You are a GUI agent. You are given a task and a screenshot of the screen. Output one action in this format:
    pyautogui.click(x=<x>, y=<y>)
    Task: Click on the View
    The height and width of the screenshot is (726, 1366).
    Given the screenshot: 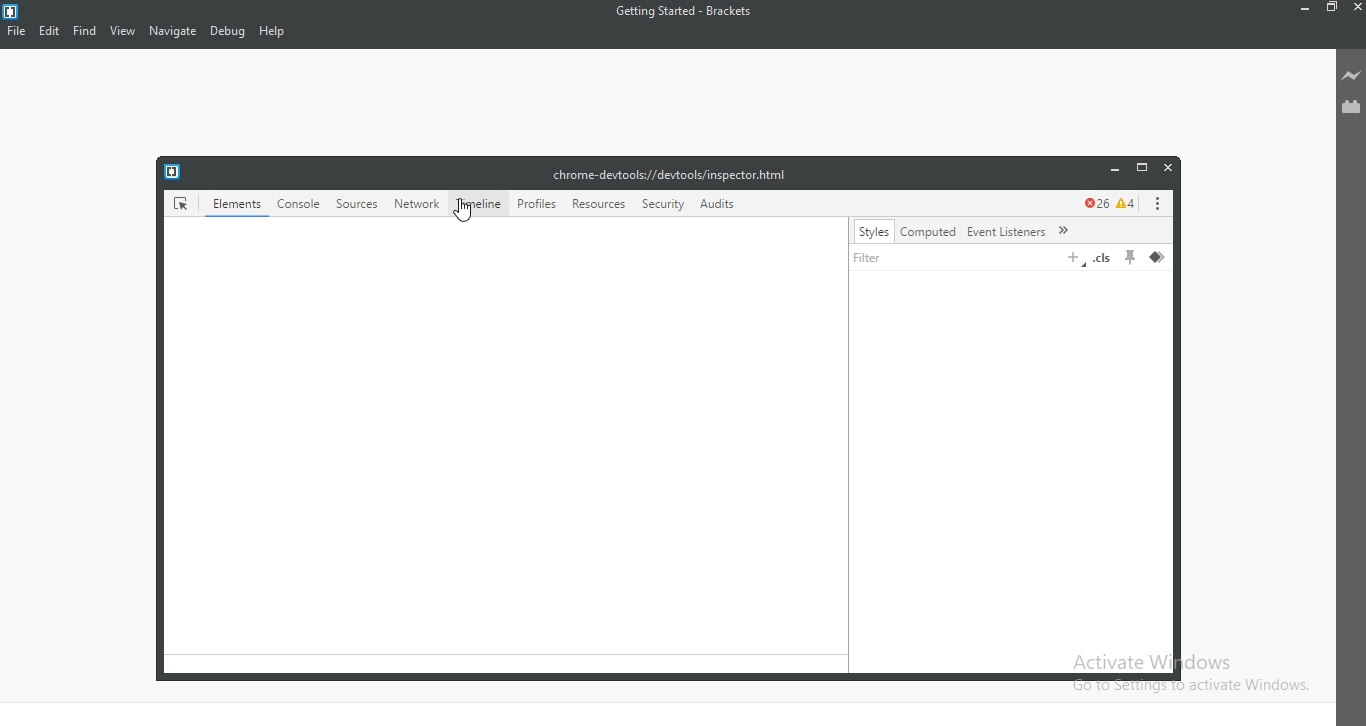 What is the action you would take?
    pyautogui.click(x=124, y=31)
    